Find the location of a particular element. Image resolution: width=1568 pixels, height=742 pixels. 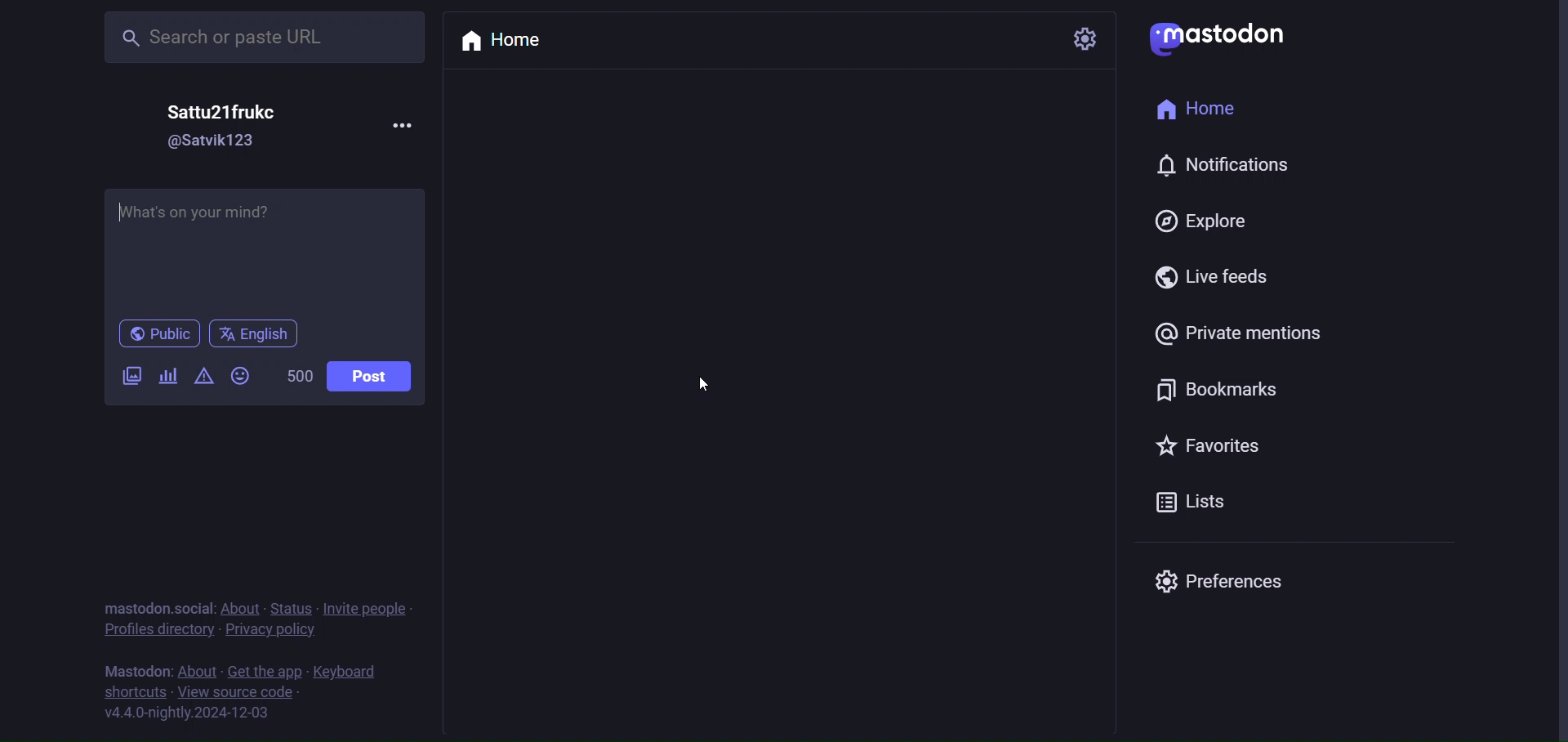

mastodon is located at coordinates (136, 670).